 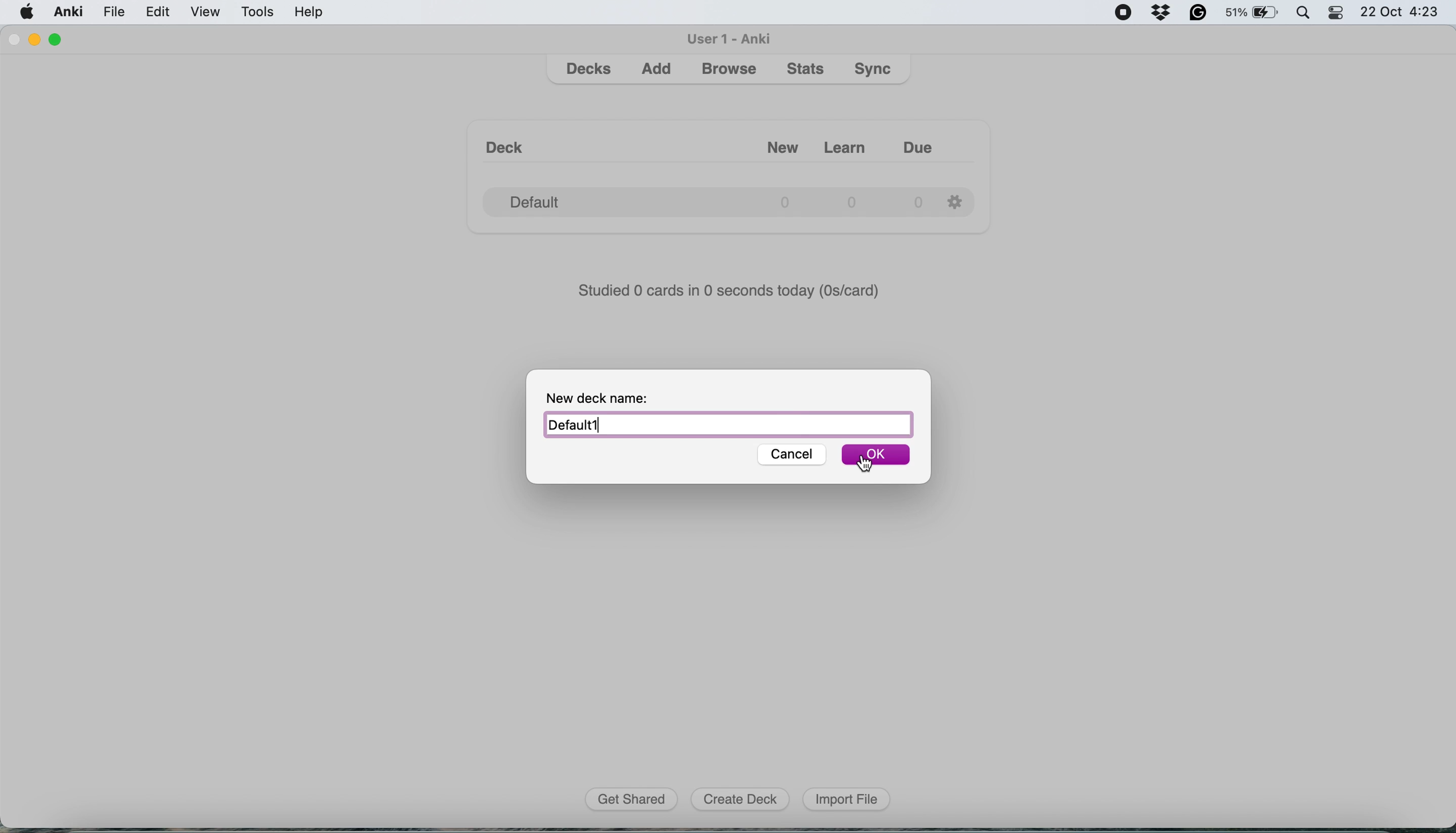 I want to click on minimise, so click(x=39, y=40).